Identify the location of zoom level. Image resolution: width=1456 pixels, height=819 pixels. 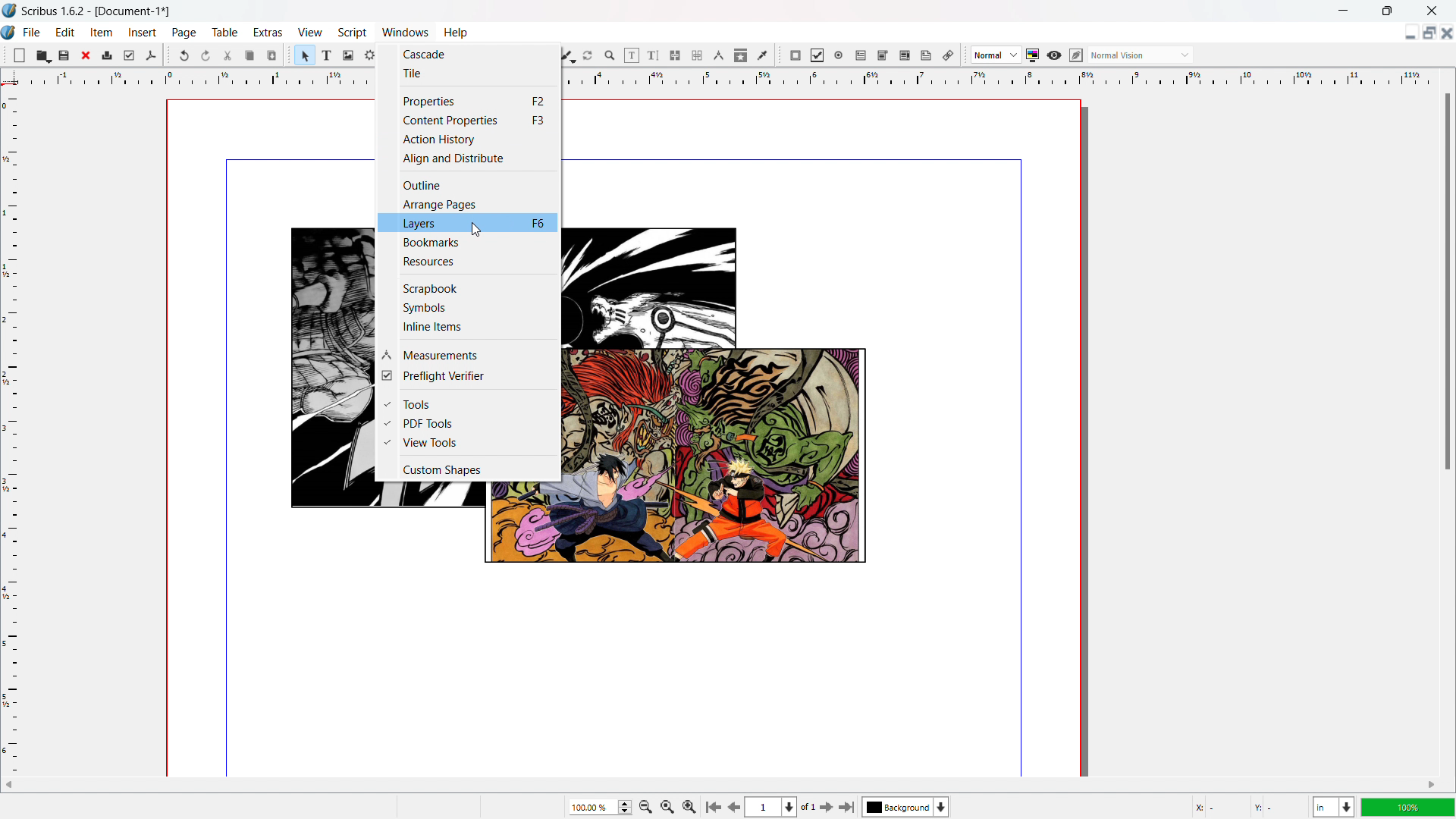
(1409, 807).